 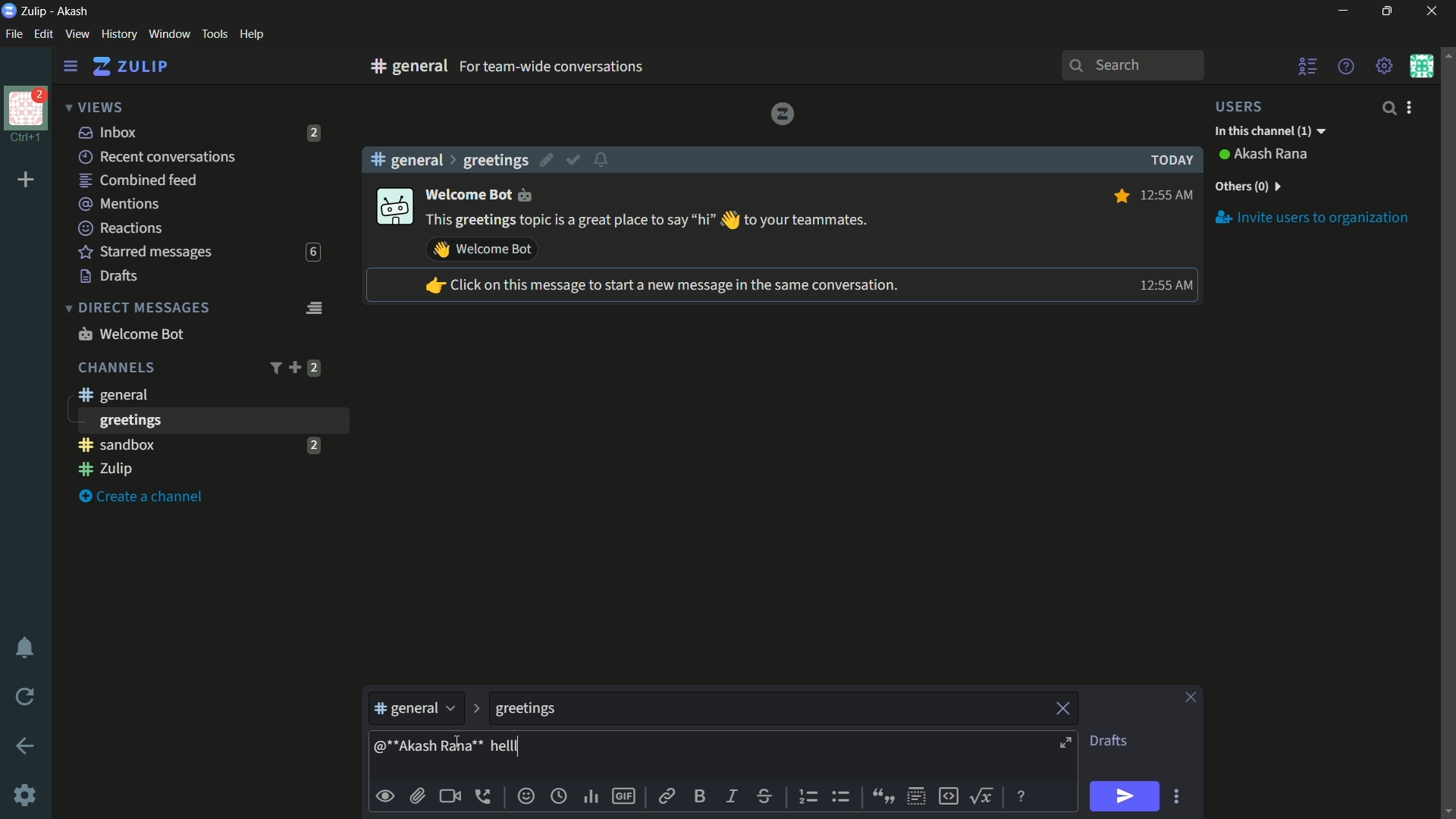 I want to click on maximize or restore, so click(x=1389, y=11).